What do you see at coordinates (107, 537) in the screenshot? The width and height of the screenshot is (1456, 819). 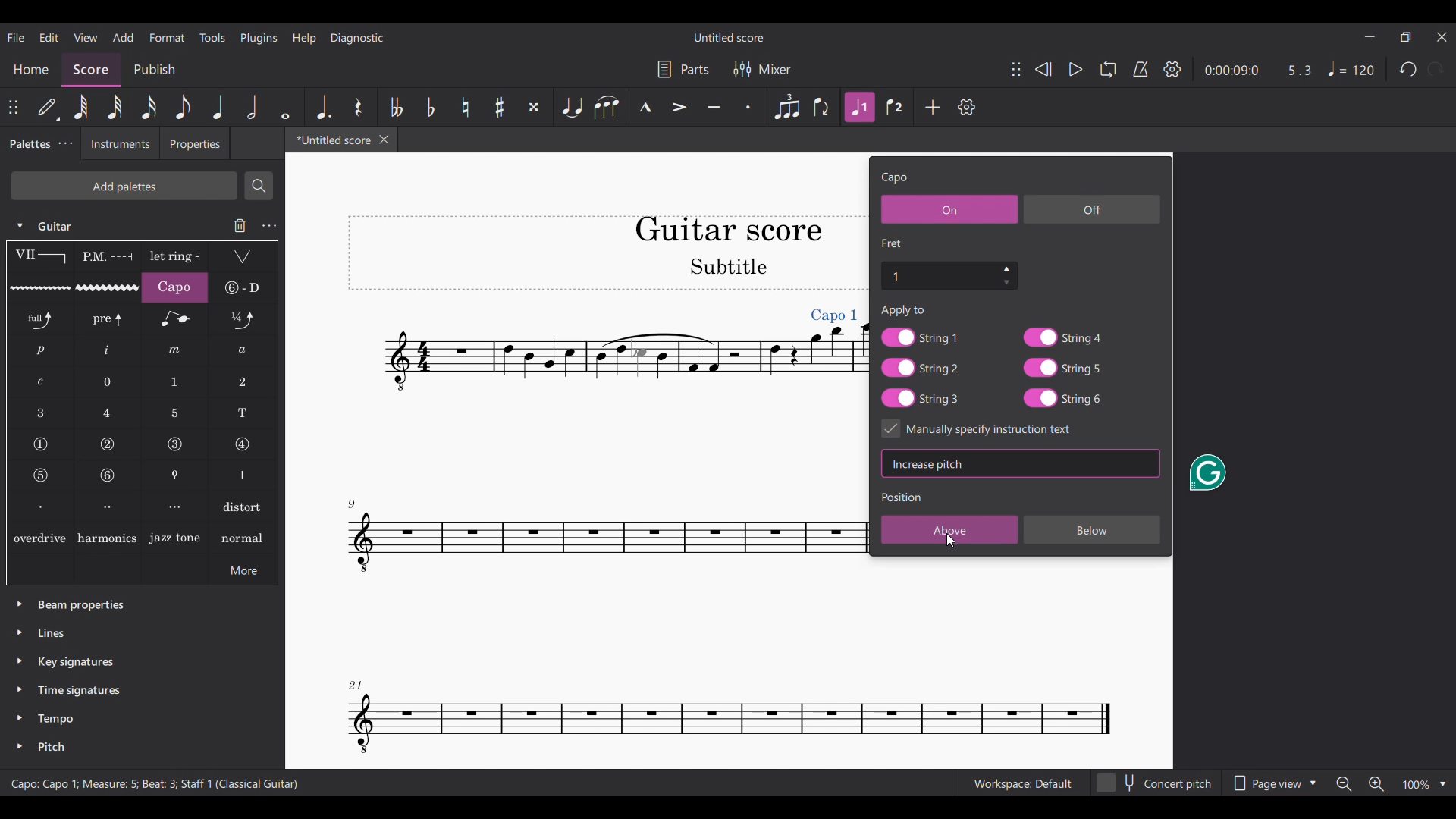 I see `Harmonics` at bounding box center [107, 537].